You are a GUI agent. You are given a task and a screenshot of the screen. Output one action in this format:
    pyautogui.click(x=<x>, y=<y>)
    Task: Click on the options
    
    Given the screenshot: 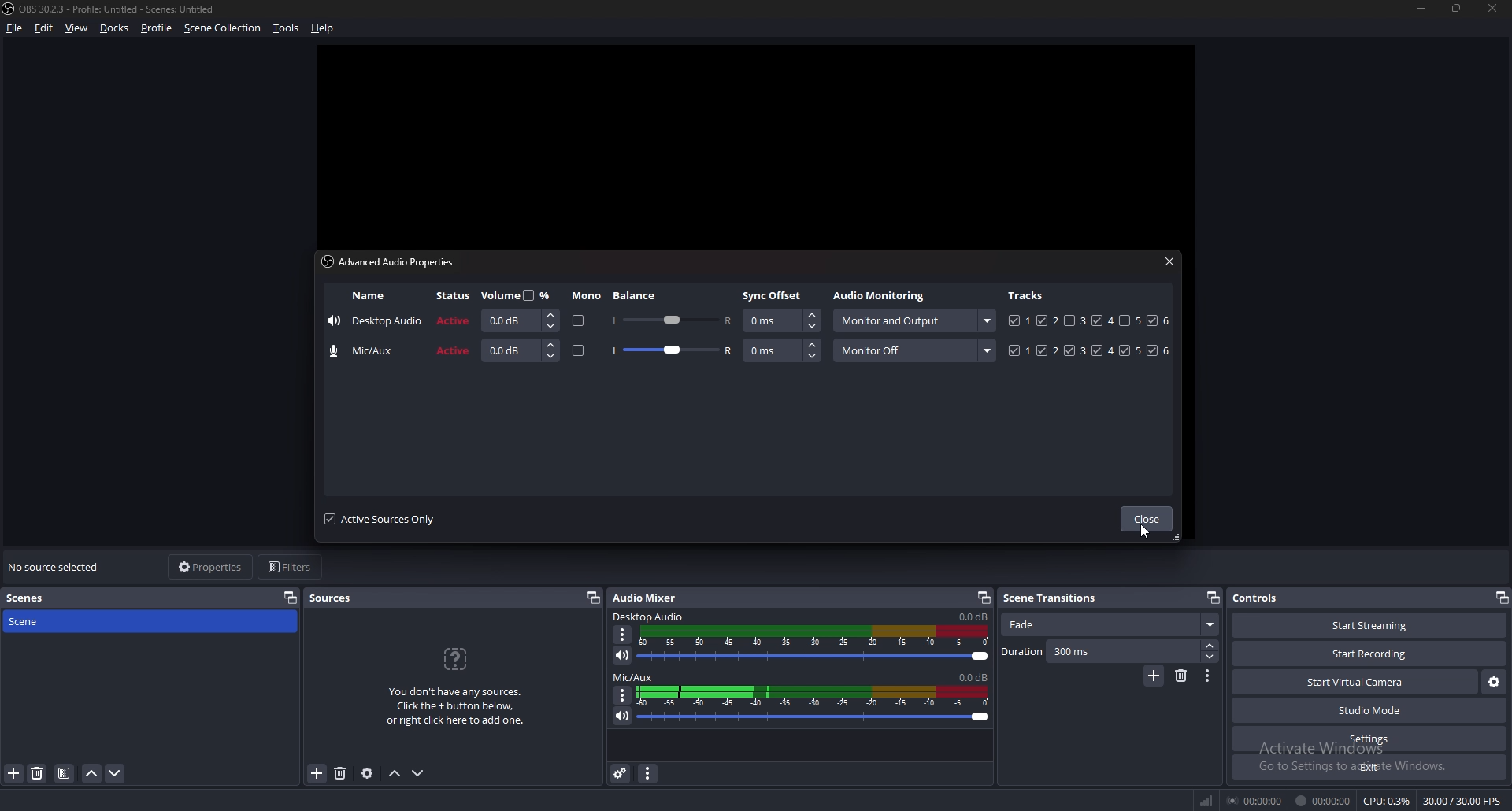 What is the action you would take?
    pyautogui.click(x=624, y=635)
    